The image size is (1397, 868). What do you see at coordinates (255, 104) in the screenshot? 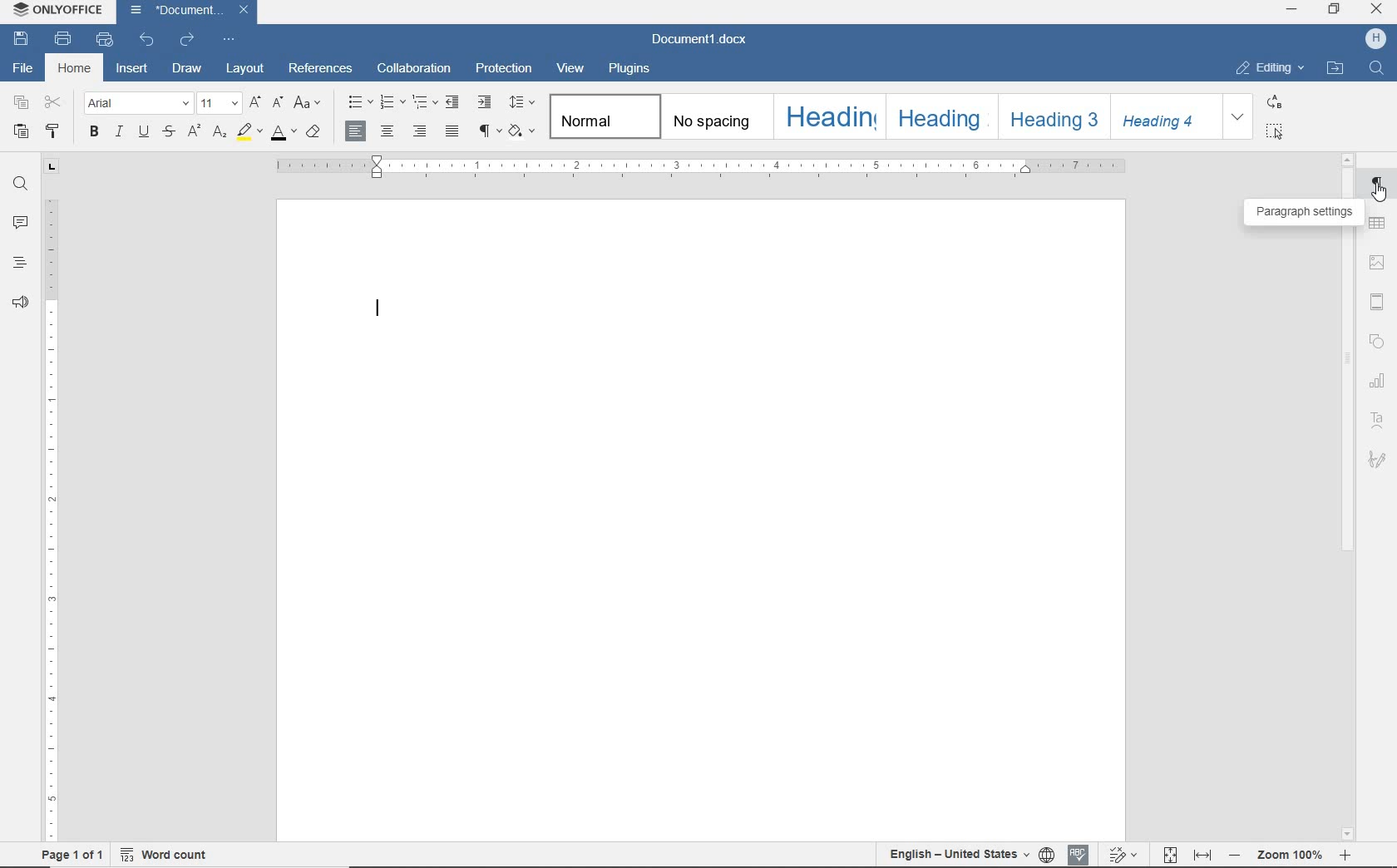
I see `increment font size` at bounding box center [255, 104].